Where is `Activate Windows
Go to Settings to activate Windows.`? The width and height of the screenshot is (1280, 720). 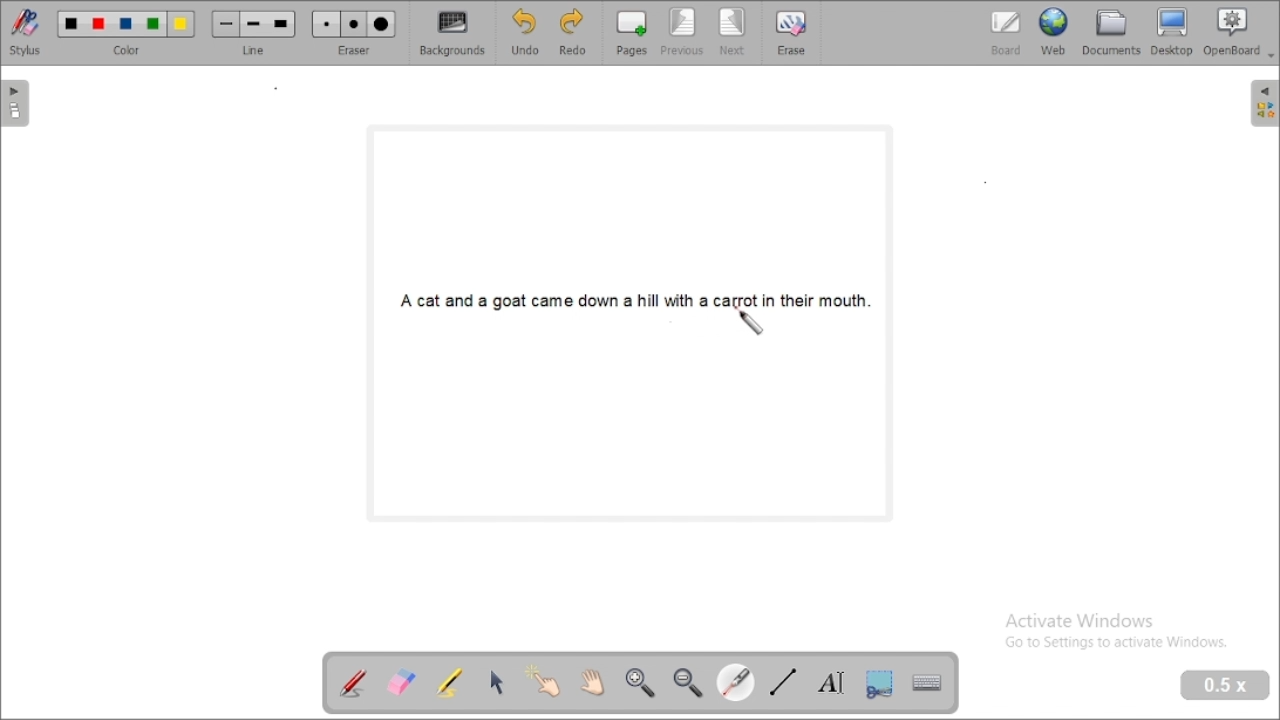
Activate Windows
Go to Settings to activate Windows. is located at coordinates (1118, 633).